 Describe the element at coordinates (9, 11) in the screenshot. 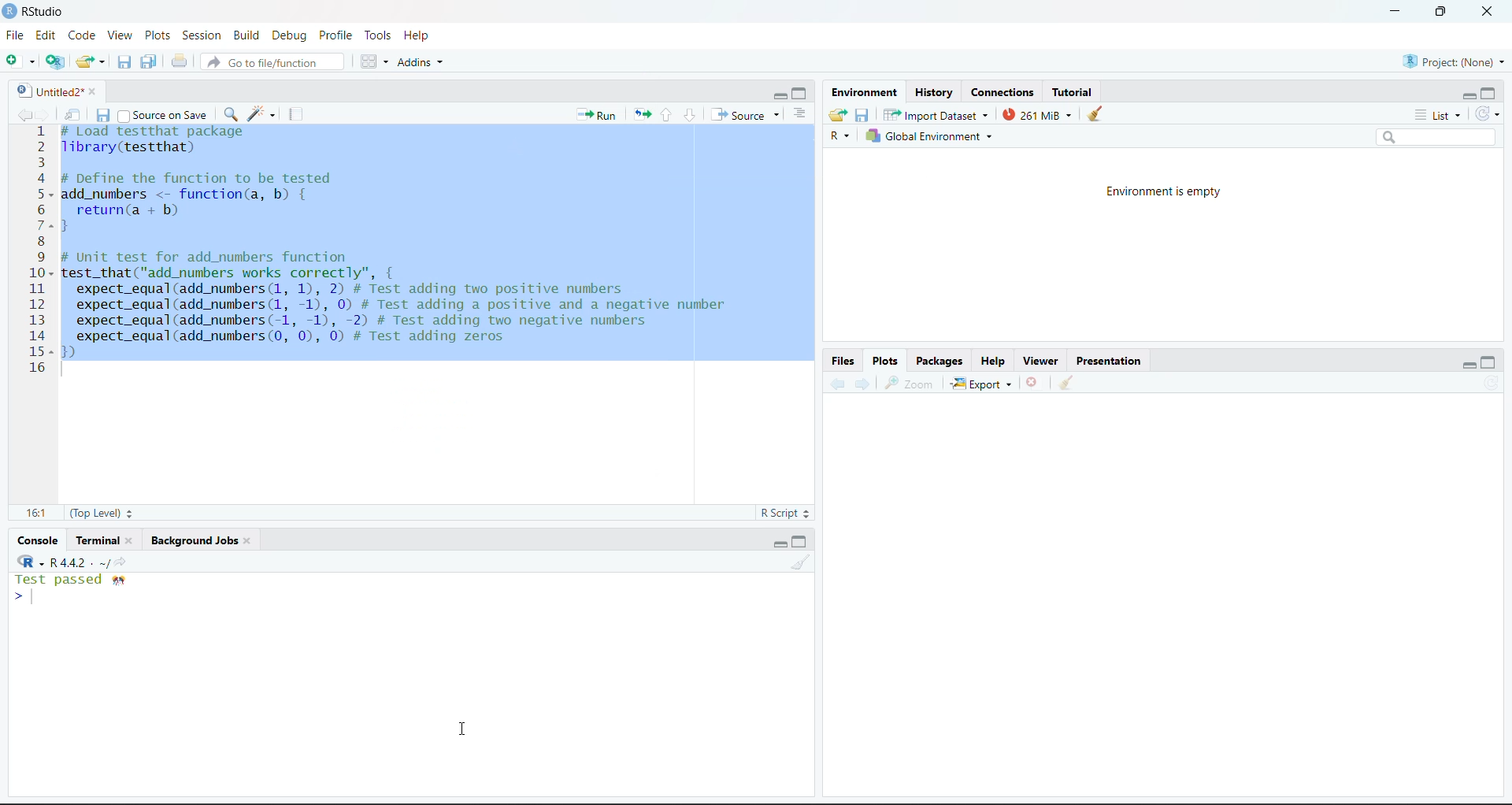

I see `logo` at that location.